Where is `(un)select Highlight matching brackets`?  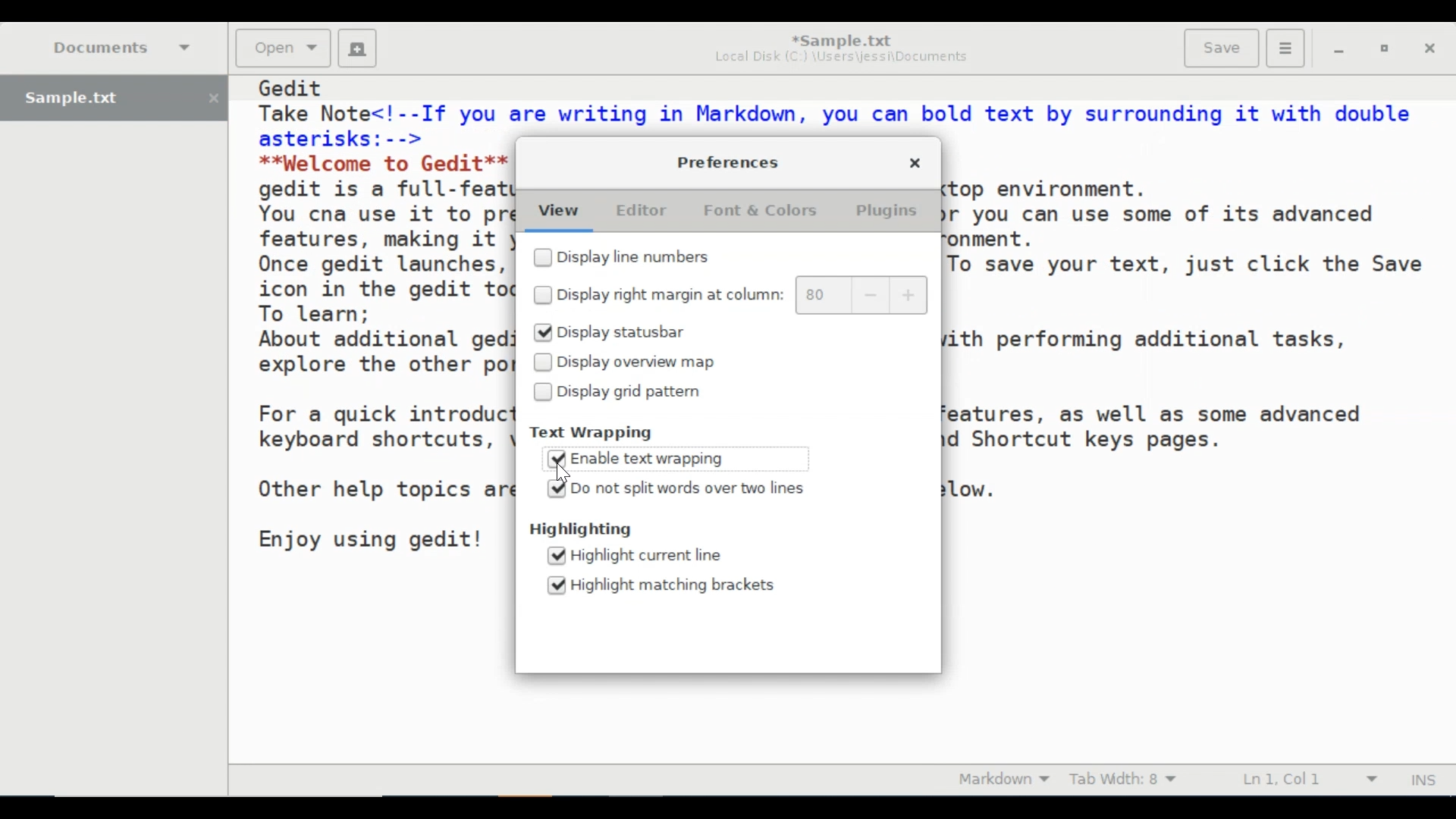 (un)select Highlight matching brackets is located at coordinates (667, 585).